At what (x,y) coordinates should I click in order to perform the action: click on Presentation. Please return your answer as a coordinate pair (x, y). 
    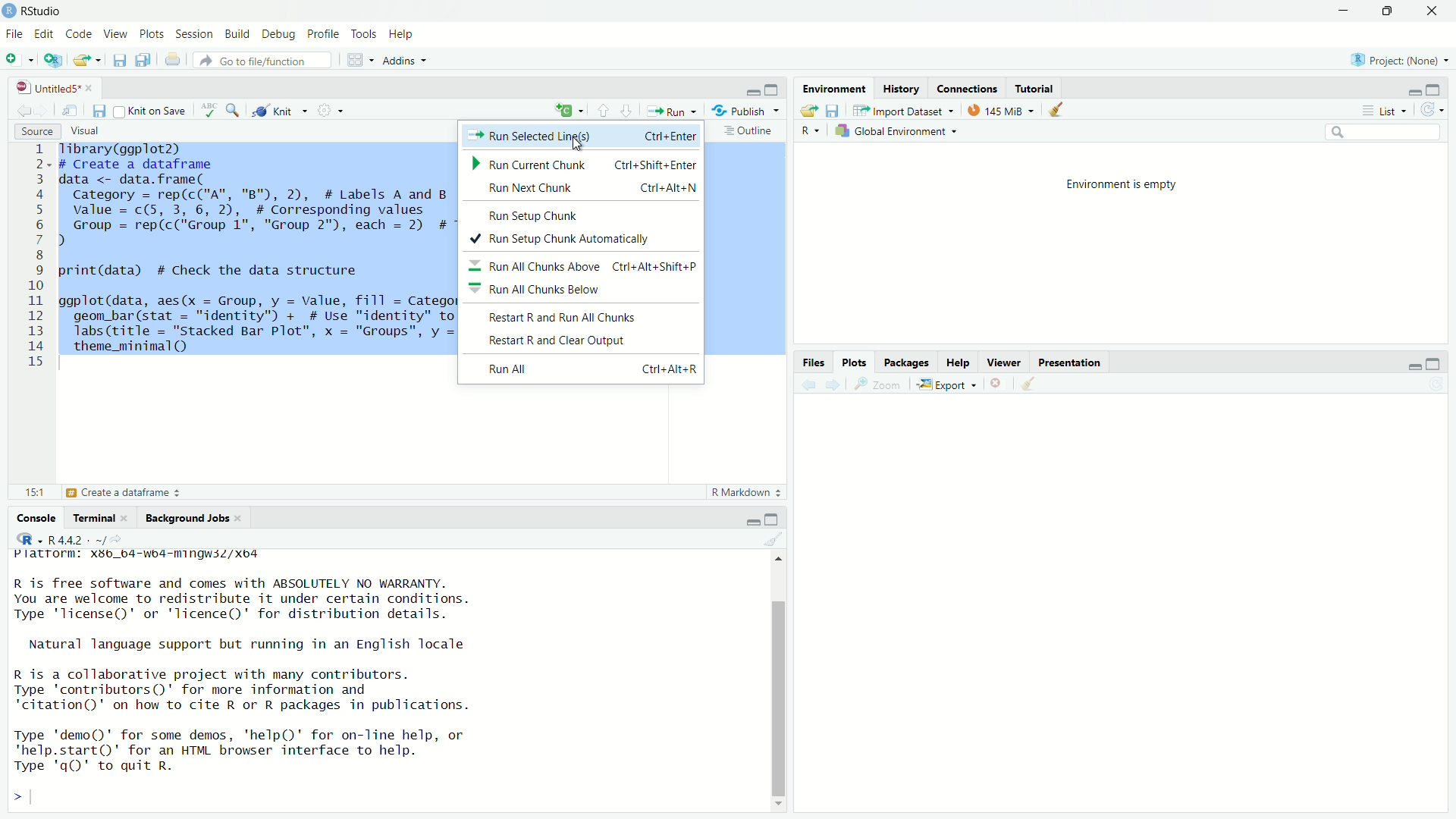
    Looking at the image, I should click on (1070, 362).